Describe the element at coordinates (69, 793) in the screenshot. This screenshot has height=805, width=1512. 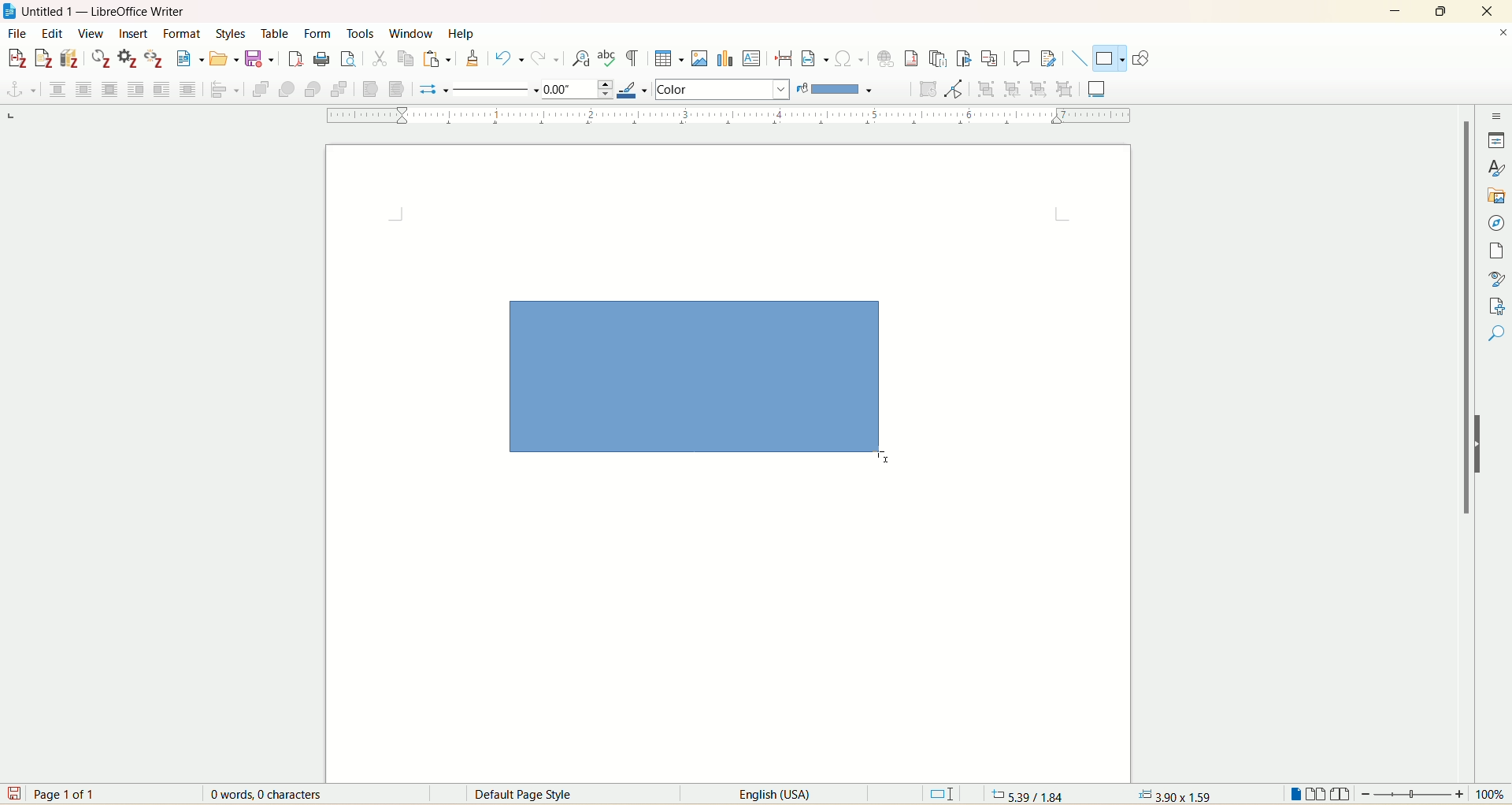
I see `page 1 of 1` at that location.